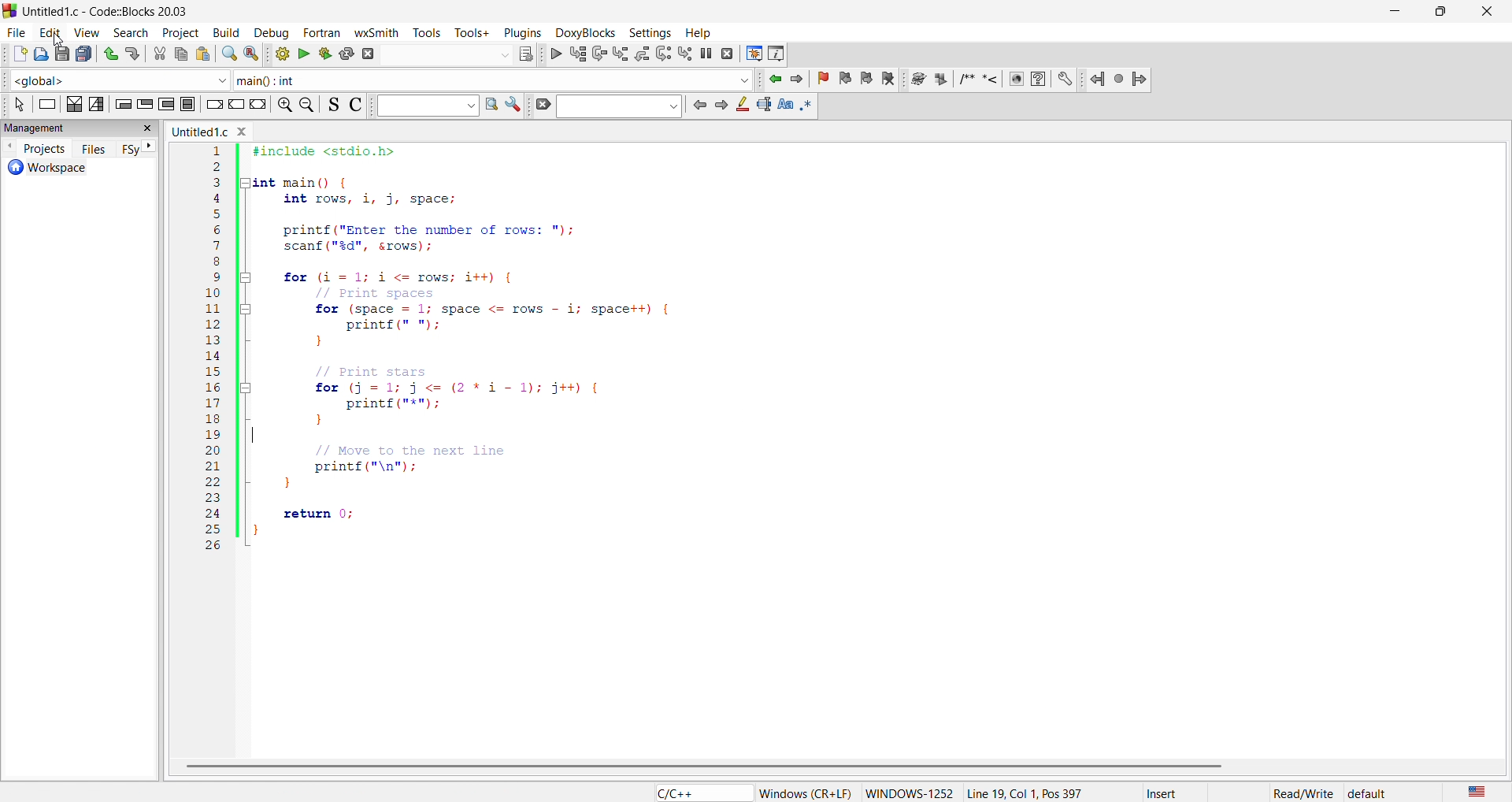 The height and width of the screenshot is (802, 1512). What do you see at coordinates (14, 55) in the screenshot?
I see `new file` at bounding box center [14, 55].